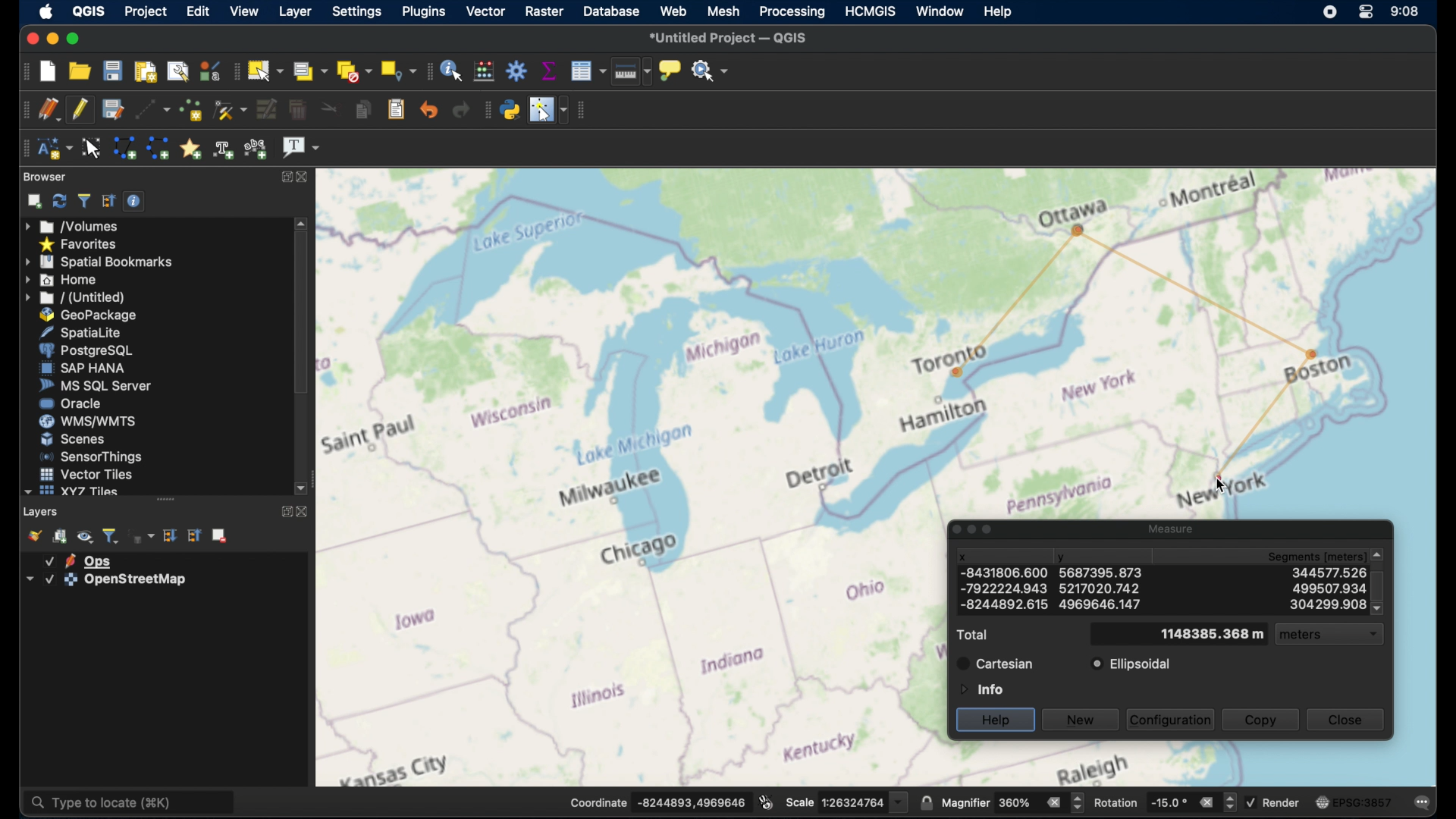 The height and width of the screenshot is (819, 1456). What do you see at coordinates (71, 404) in the screenshot?
I see `oracle` at bounding box center [71, 404].